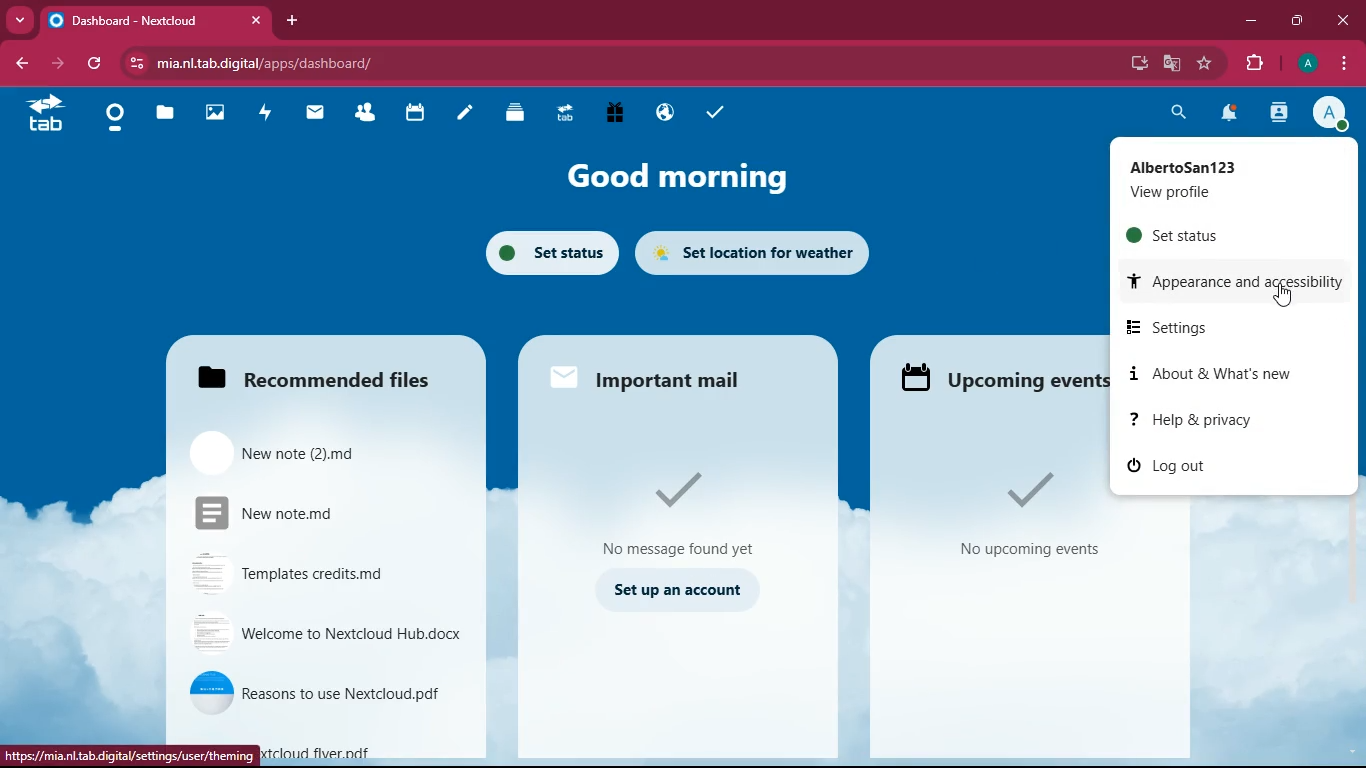 The height and width of the screenshot is (768, 1366). I want to click on extensions, so click(1256, 61).